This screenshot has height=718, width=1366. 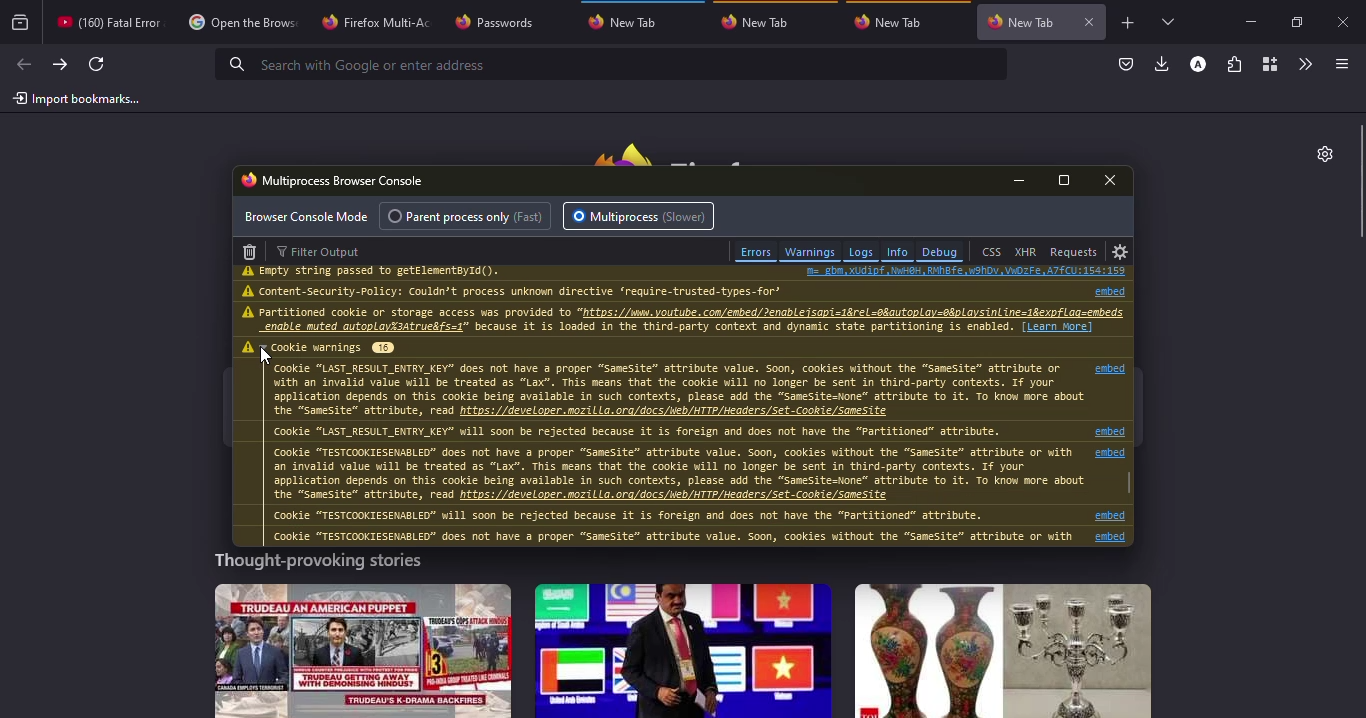 I want to click on warning, so click(x=245, y=347).